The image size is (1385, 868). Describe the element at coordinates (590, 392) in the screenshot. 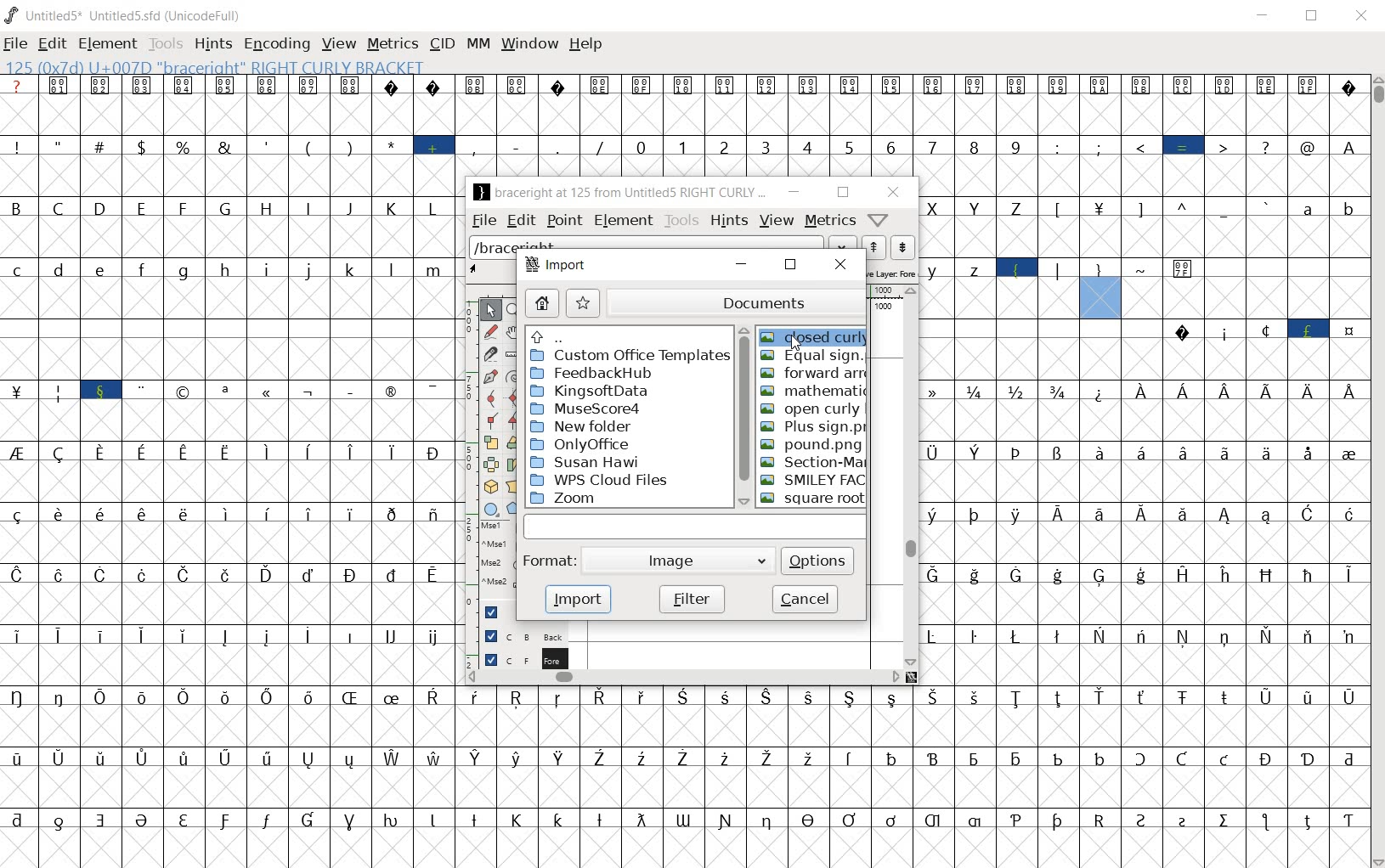

I see `Kingsoftdata` at that location.